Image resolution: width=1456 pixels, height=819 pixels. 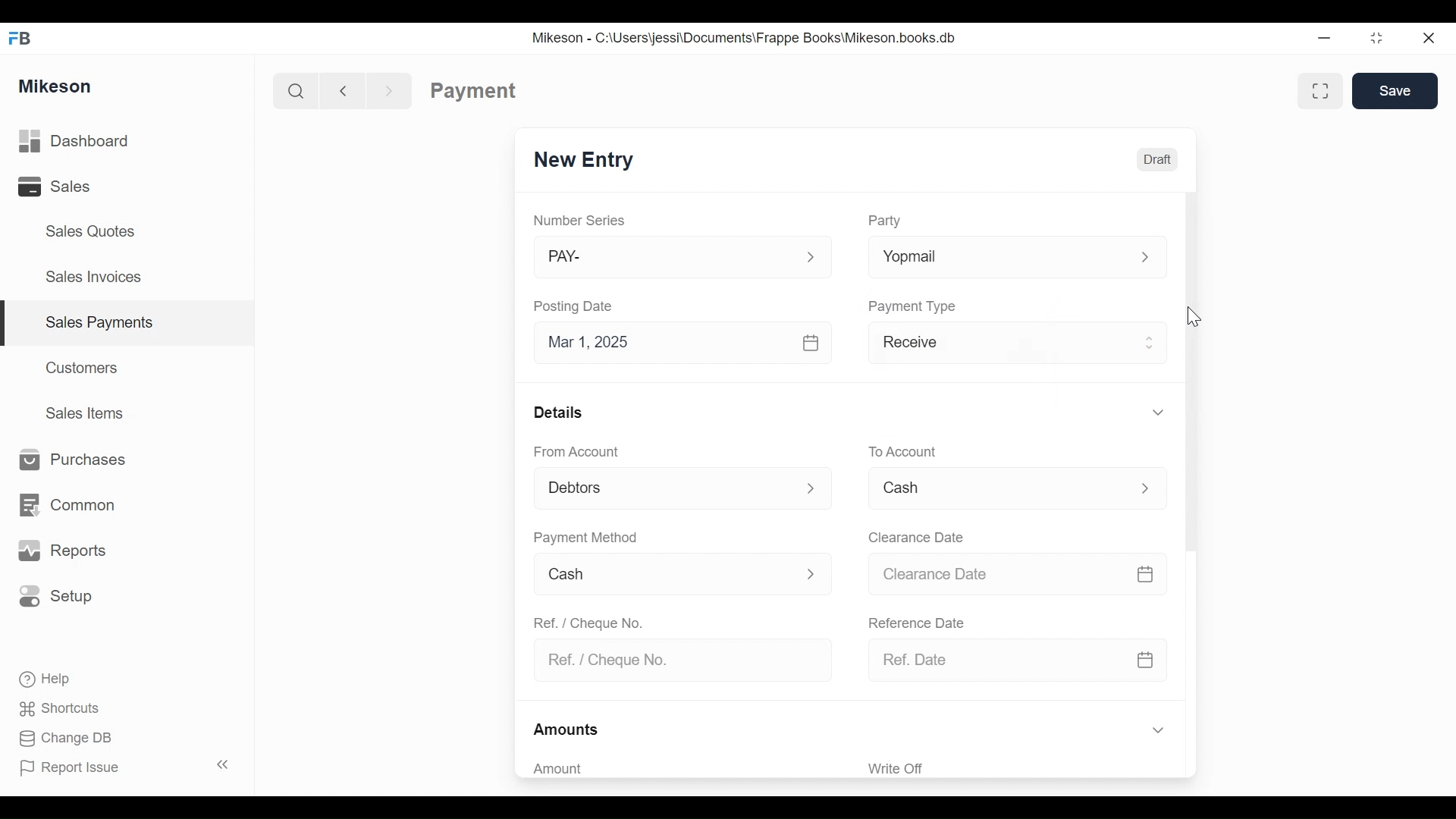 What do you see at coordinates (1318, 92) in the screenshot?
I see `Full width toggle` at bounding box center [1318, 92].